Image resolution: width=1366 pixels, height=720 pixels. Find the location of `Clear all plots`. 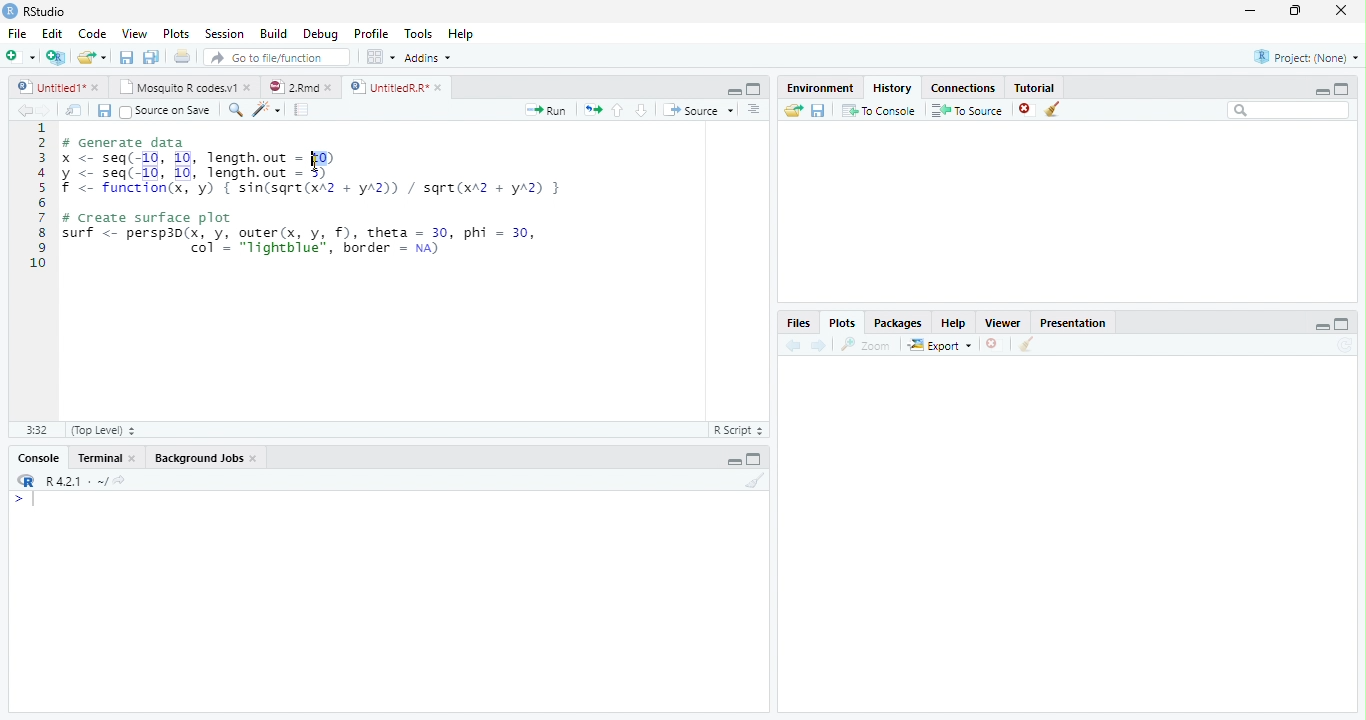

Clear all plots is located at coordinates (1026, 344).